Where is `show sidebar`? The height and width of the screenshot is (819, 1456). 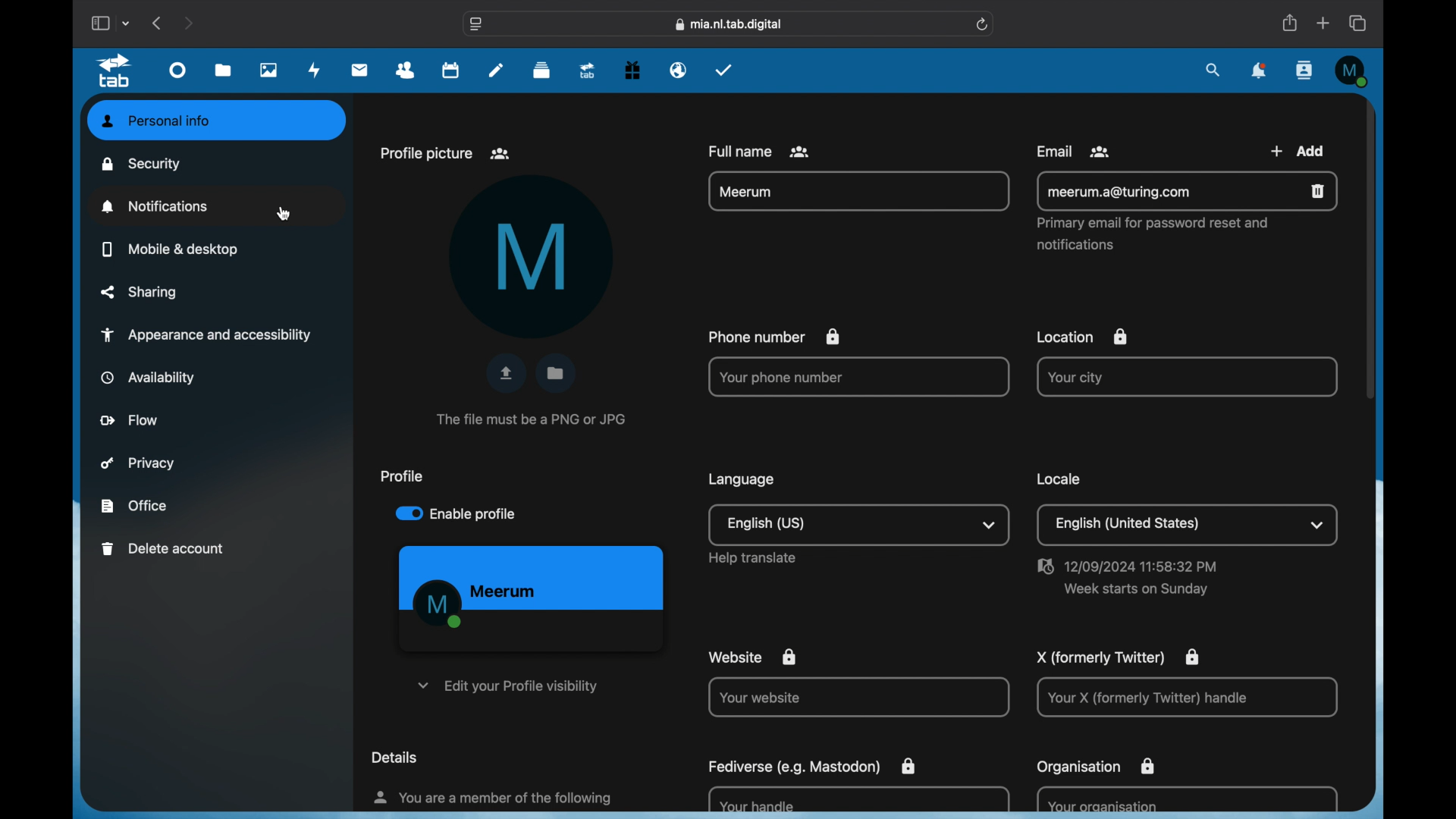
show sidebar is located at coordinates (99, 24).